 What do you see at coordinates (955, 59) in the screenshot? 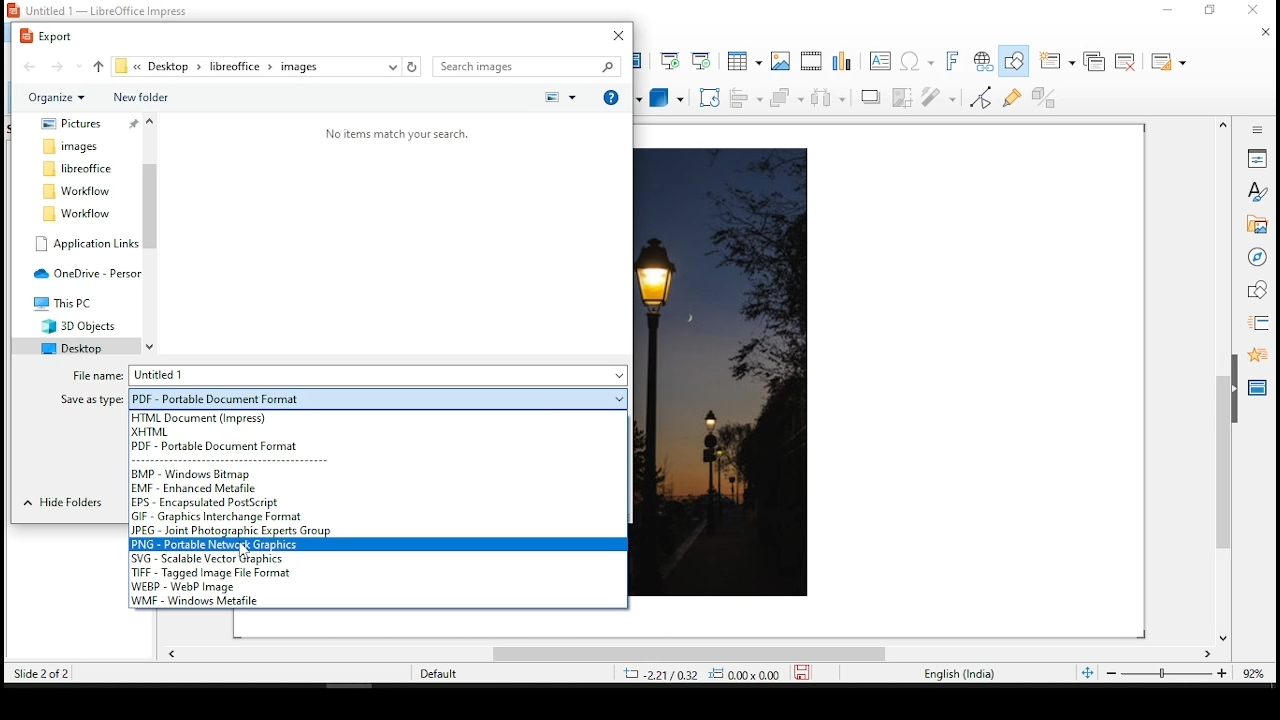
I see `fontwork text` at bounding box center [955, 59].